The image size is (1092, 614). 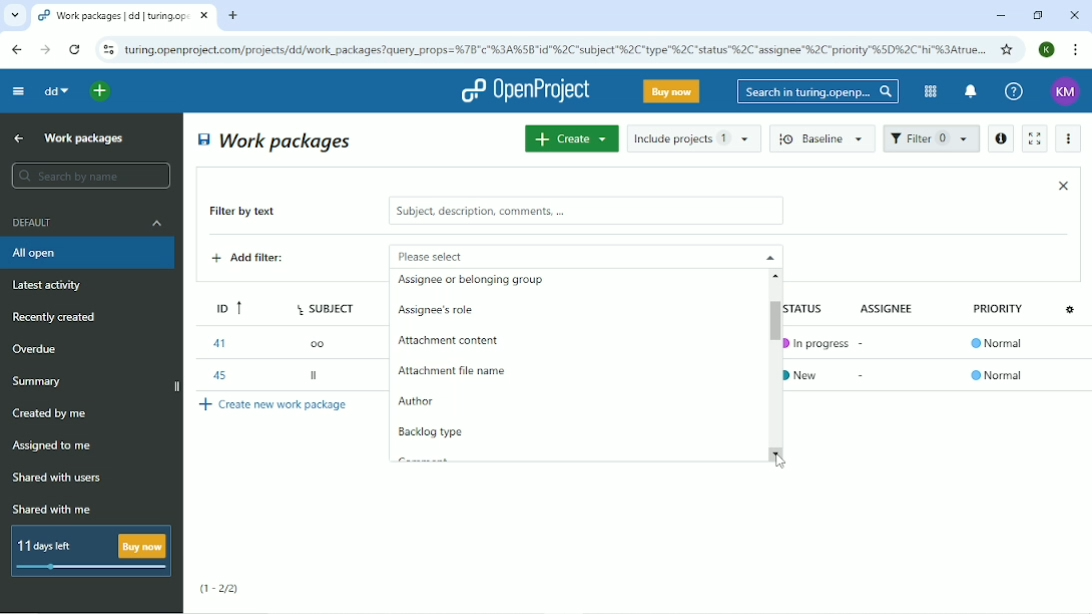 I want to click on All open, so click(x=90, y=253).